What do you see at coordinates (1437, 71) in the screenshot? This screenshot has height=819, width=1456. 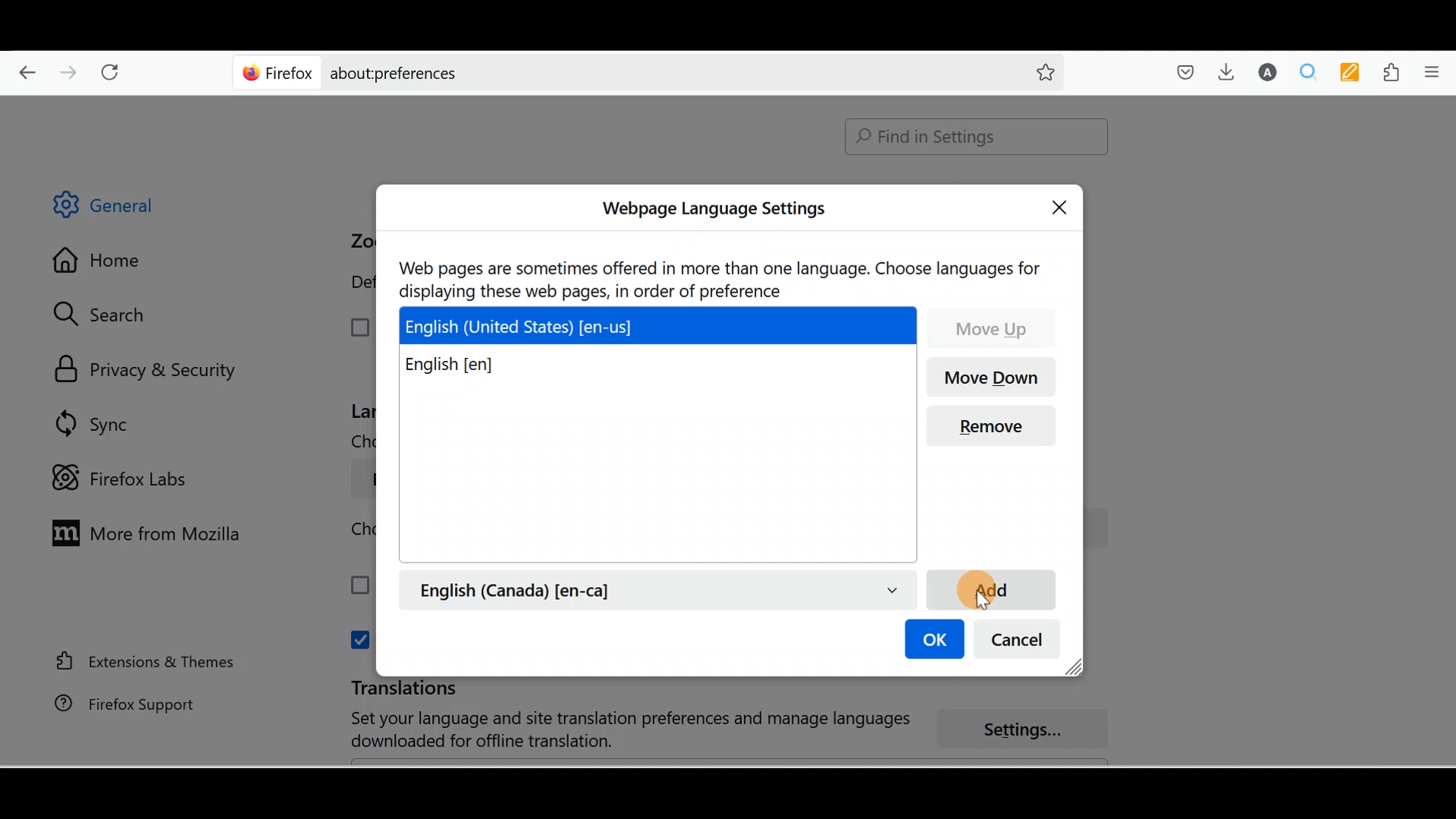 I see `Open application menu` at bounding box center [1437, 71].